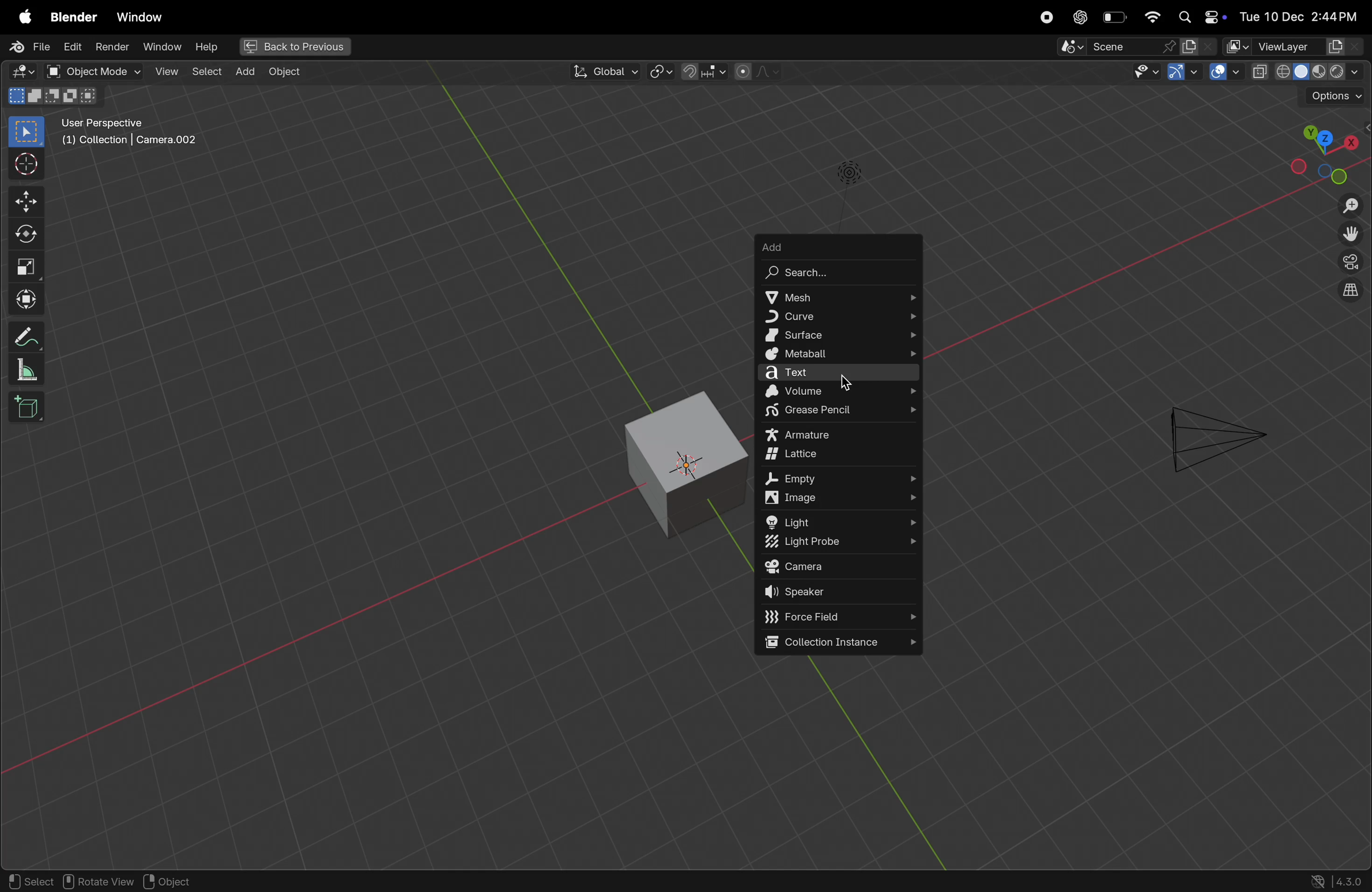  What do you see at coordinates (849, 383) in the screenshot?
I see `cursor` at bounding box center [849, 383].